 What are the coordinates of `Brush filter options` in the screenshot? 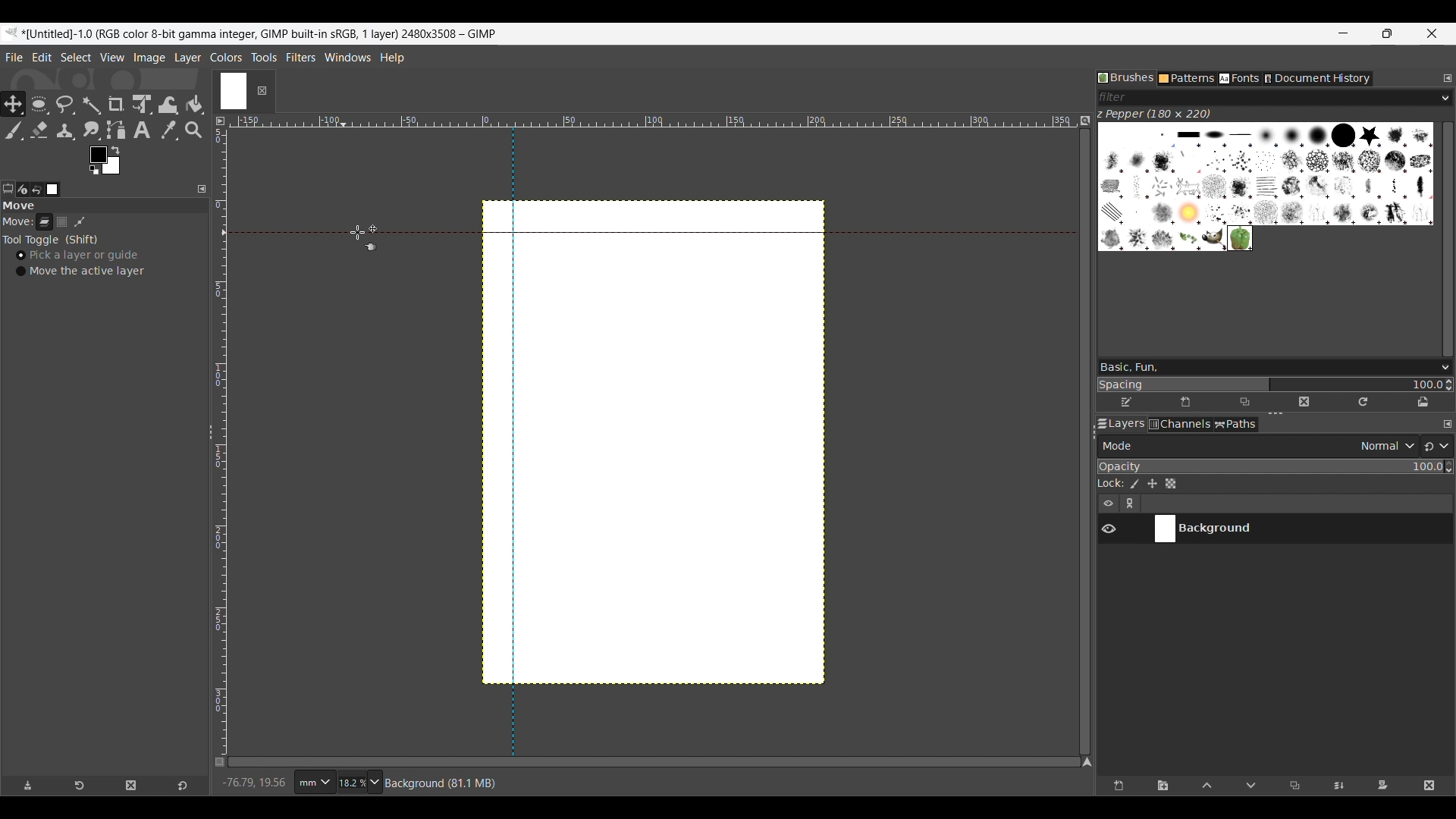 It's located at (1445, 99).